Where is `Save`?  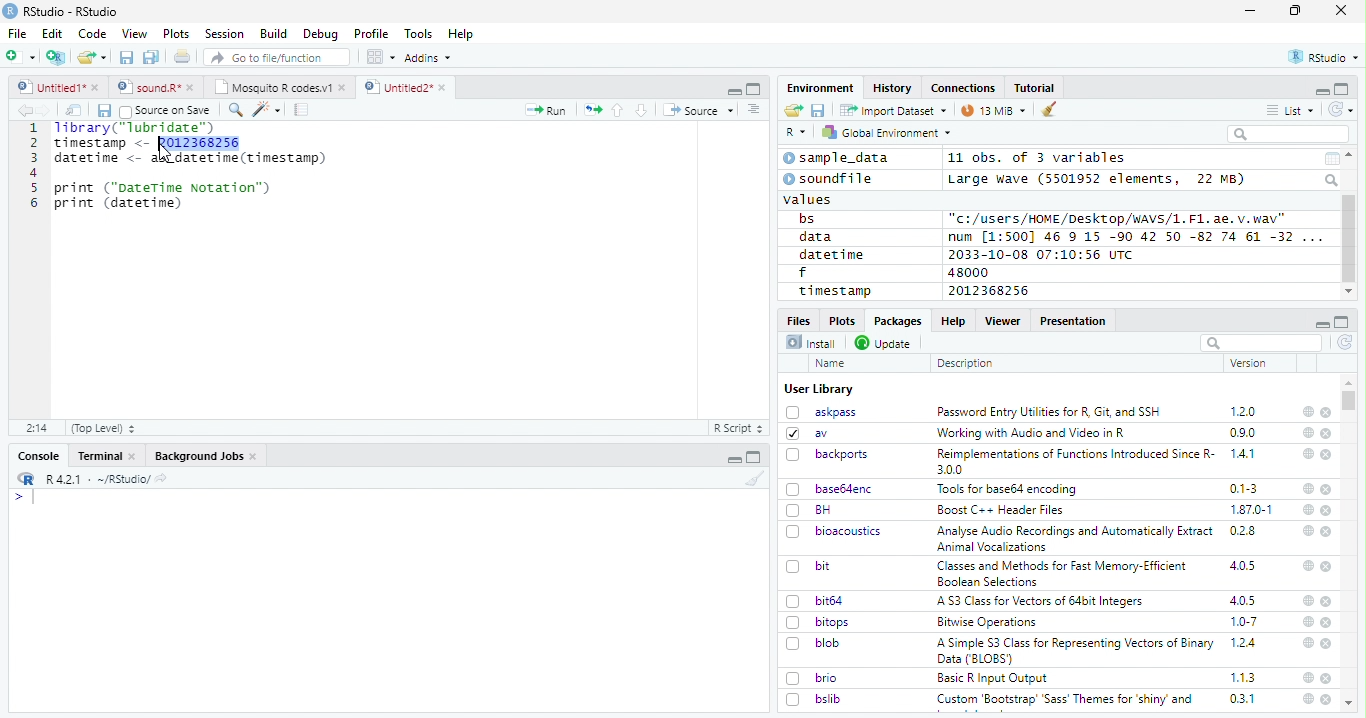 Save is located at coordinates (103, 111).